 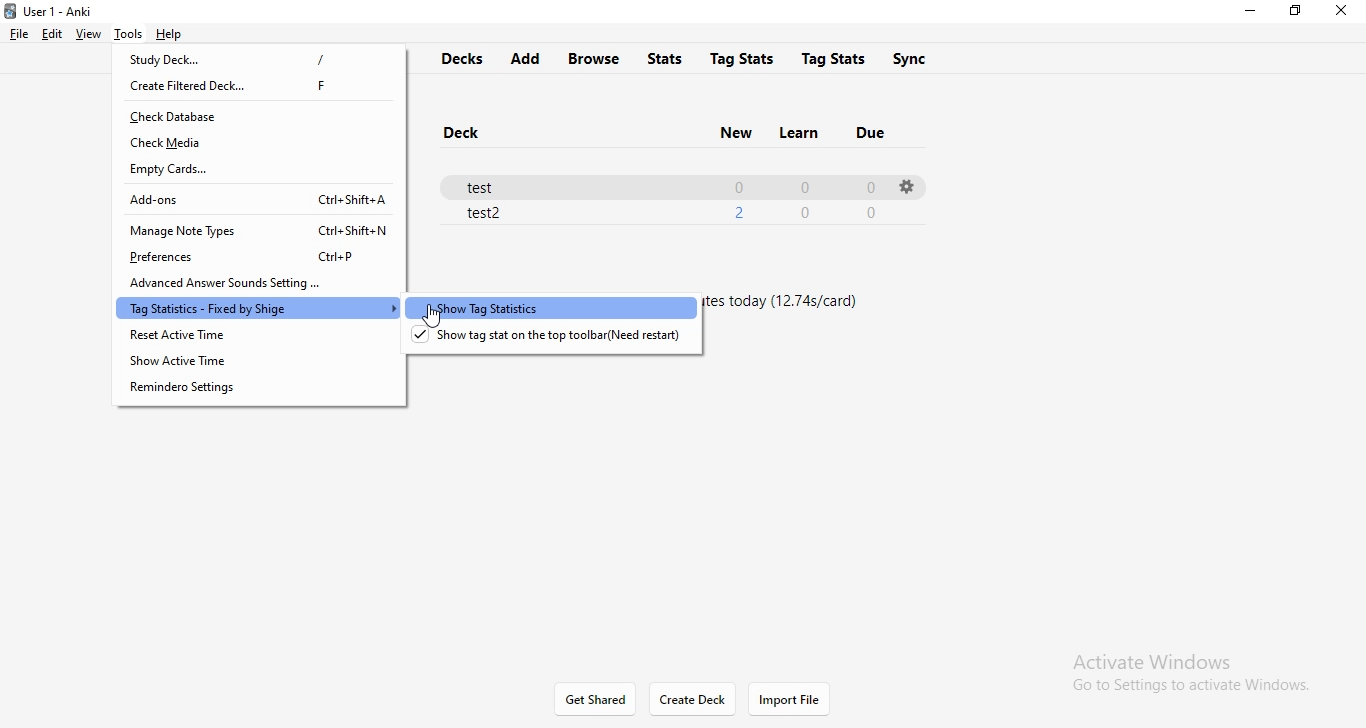 I want to click on add, so click(x=531, y=58).